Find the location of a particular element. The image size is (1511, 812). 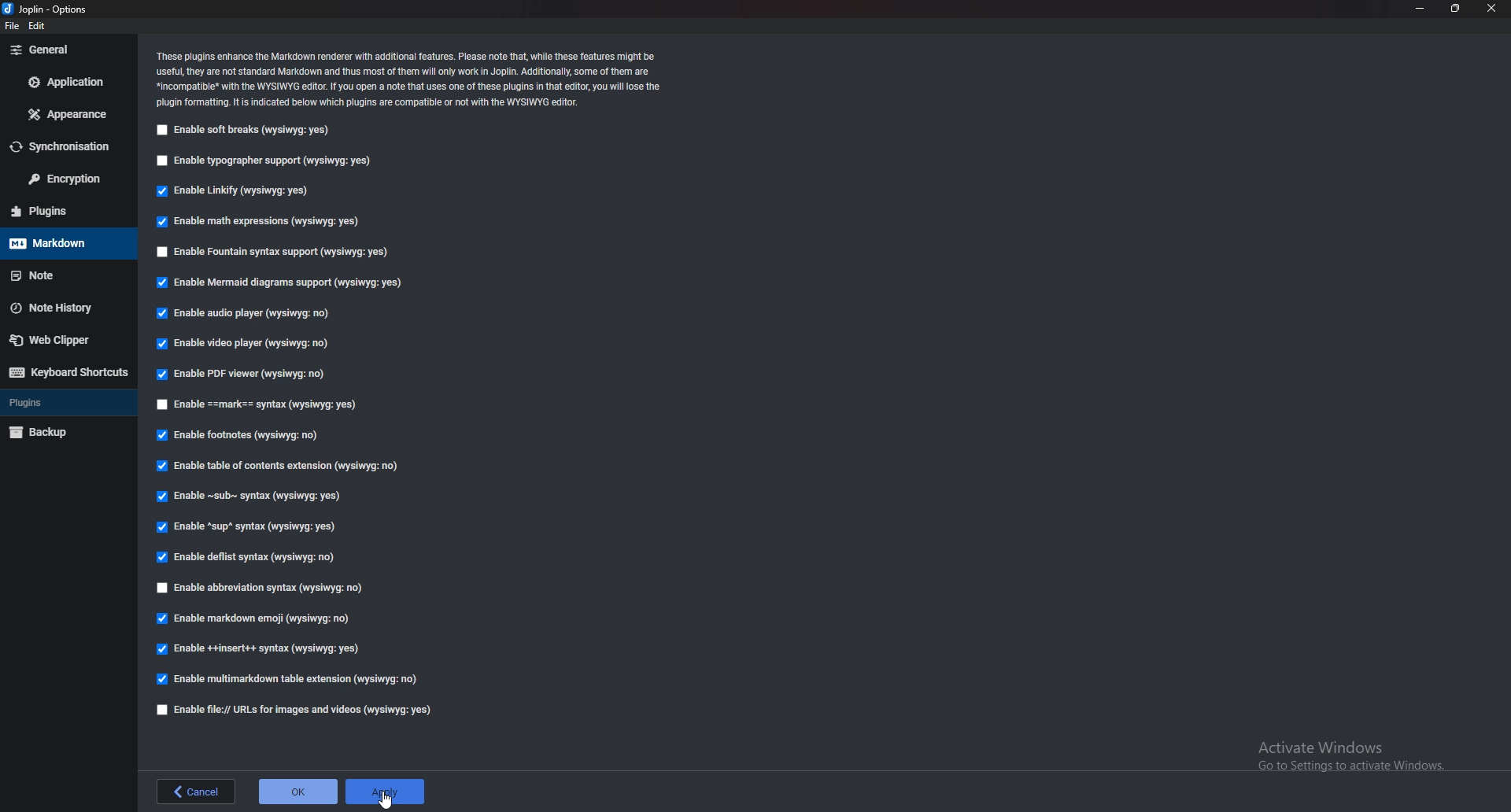

Plugins is located at coordinates (62, 404).